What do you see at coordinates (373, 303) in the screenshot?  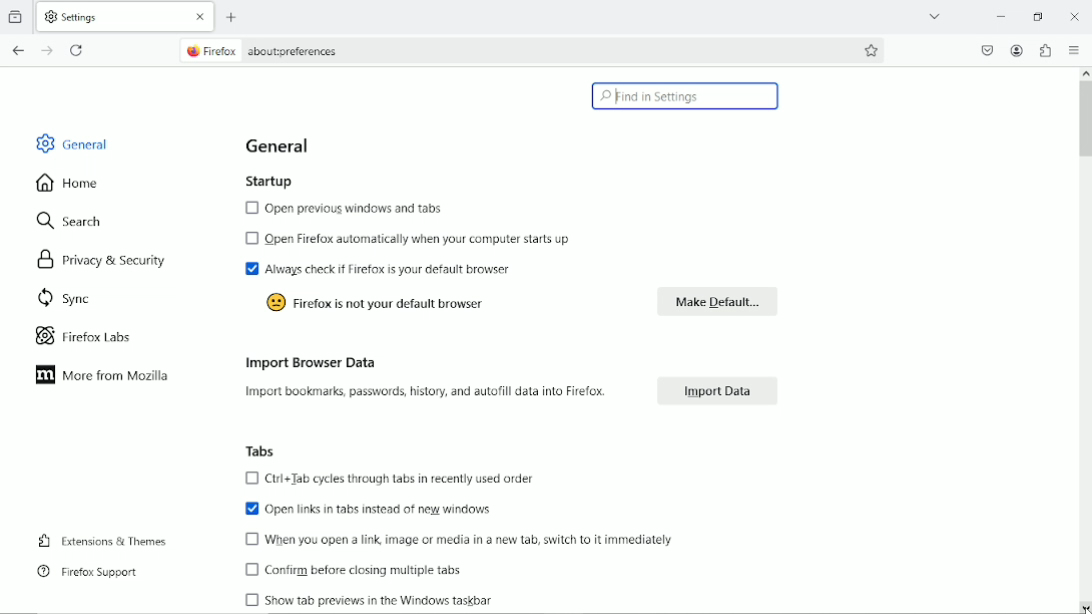 I see `Firefox is not your default browser` at bounding box center [373, 303].